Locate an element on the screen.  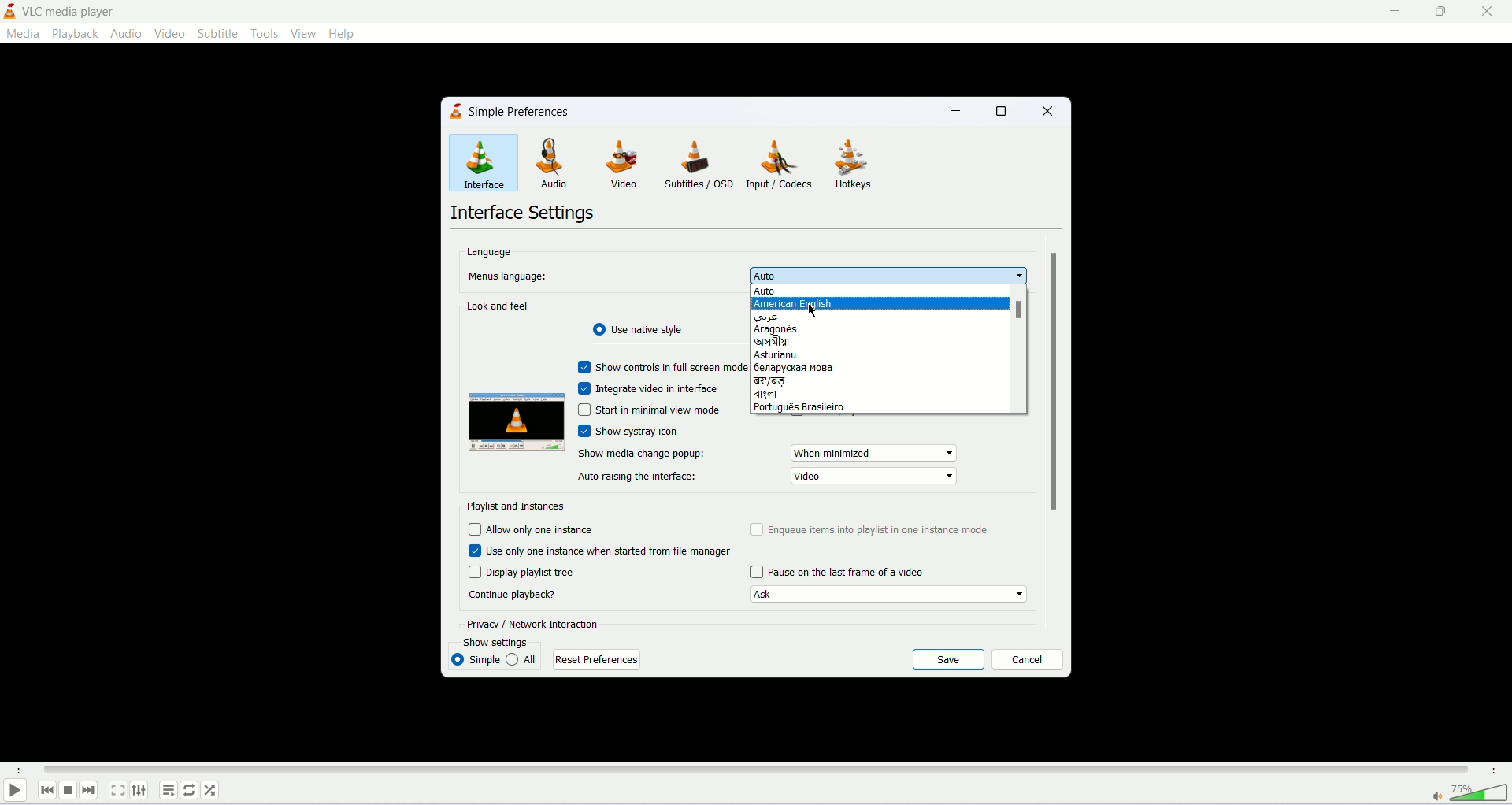
mute is located at coordinates (1437, 797).